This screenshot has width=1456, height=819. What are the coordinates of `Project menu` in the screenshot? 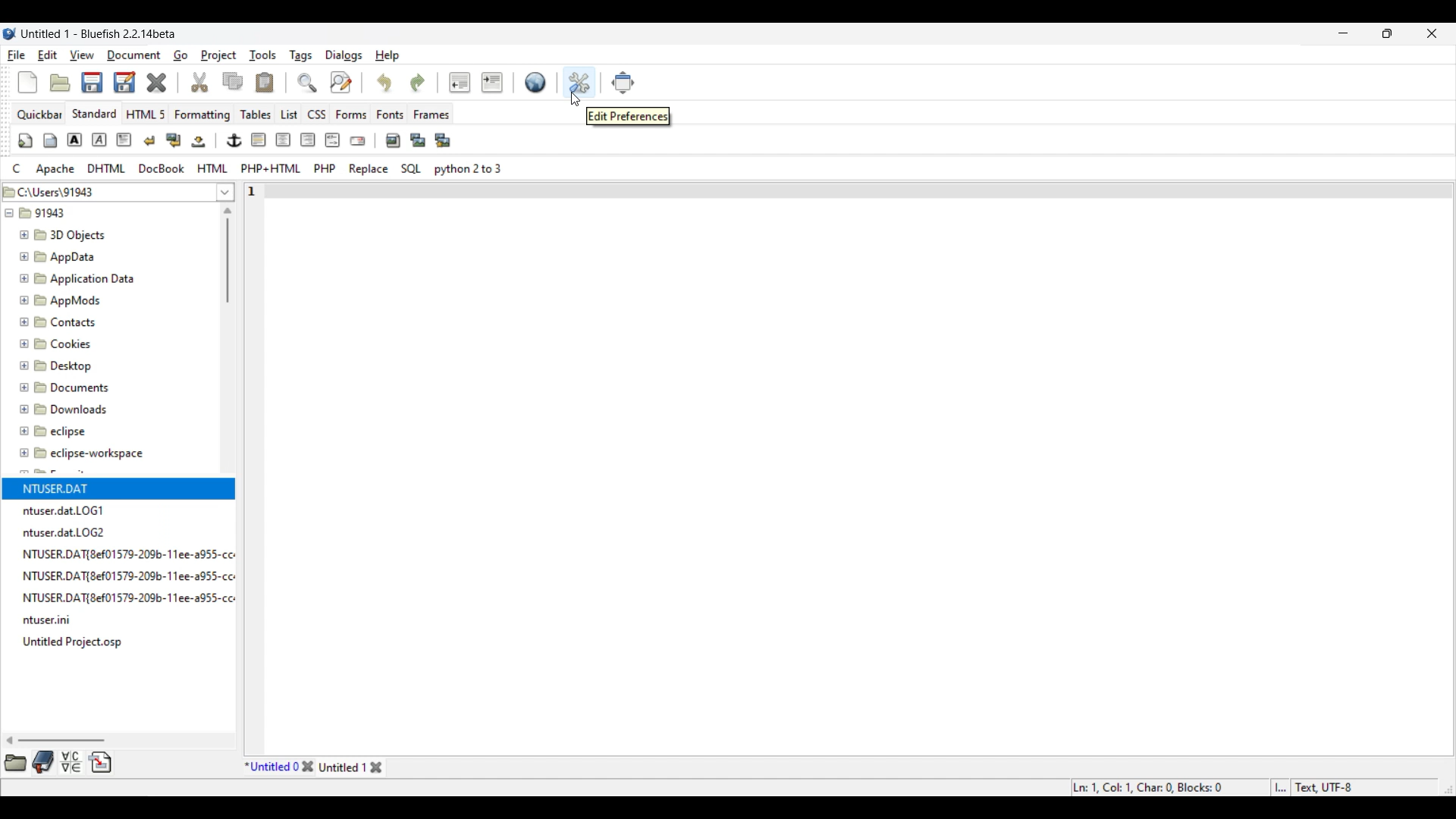 It's located at (218, 55).